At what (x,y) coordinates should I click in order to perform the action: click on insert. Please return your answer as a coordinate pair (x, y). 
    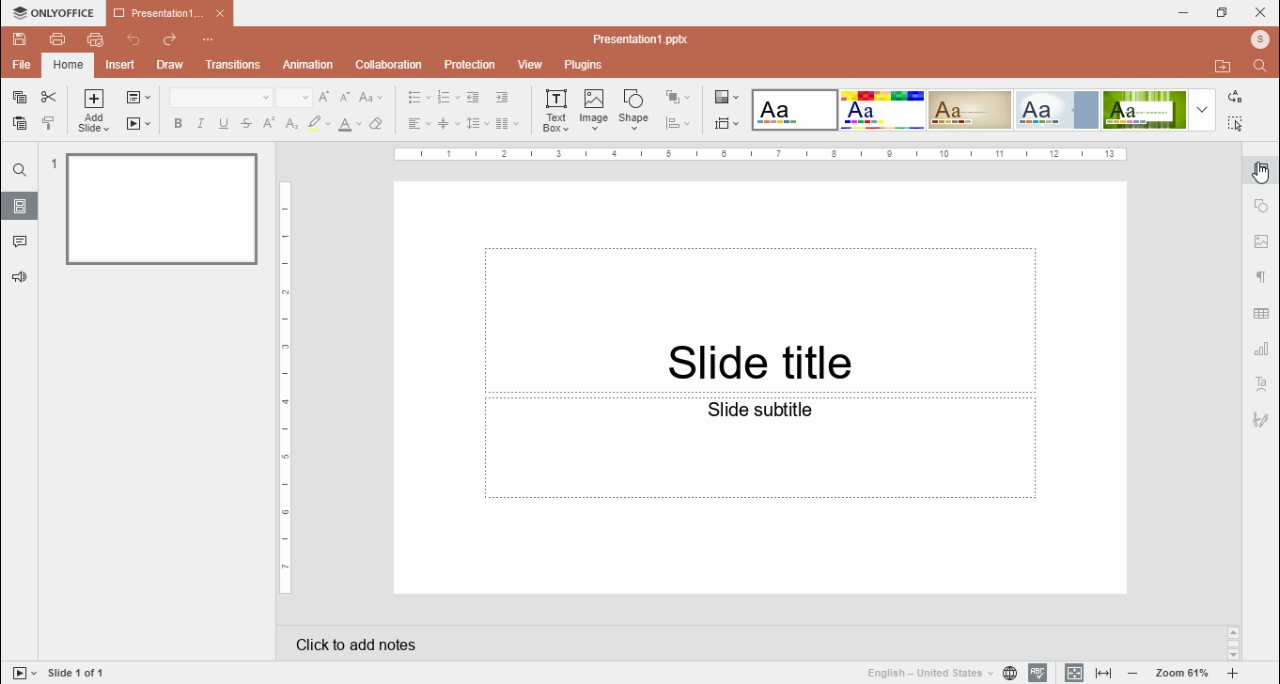
    Looking at the image, I should click on (120, 66).